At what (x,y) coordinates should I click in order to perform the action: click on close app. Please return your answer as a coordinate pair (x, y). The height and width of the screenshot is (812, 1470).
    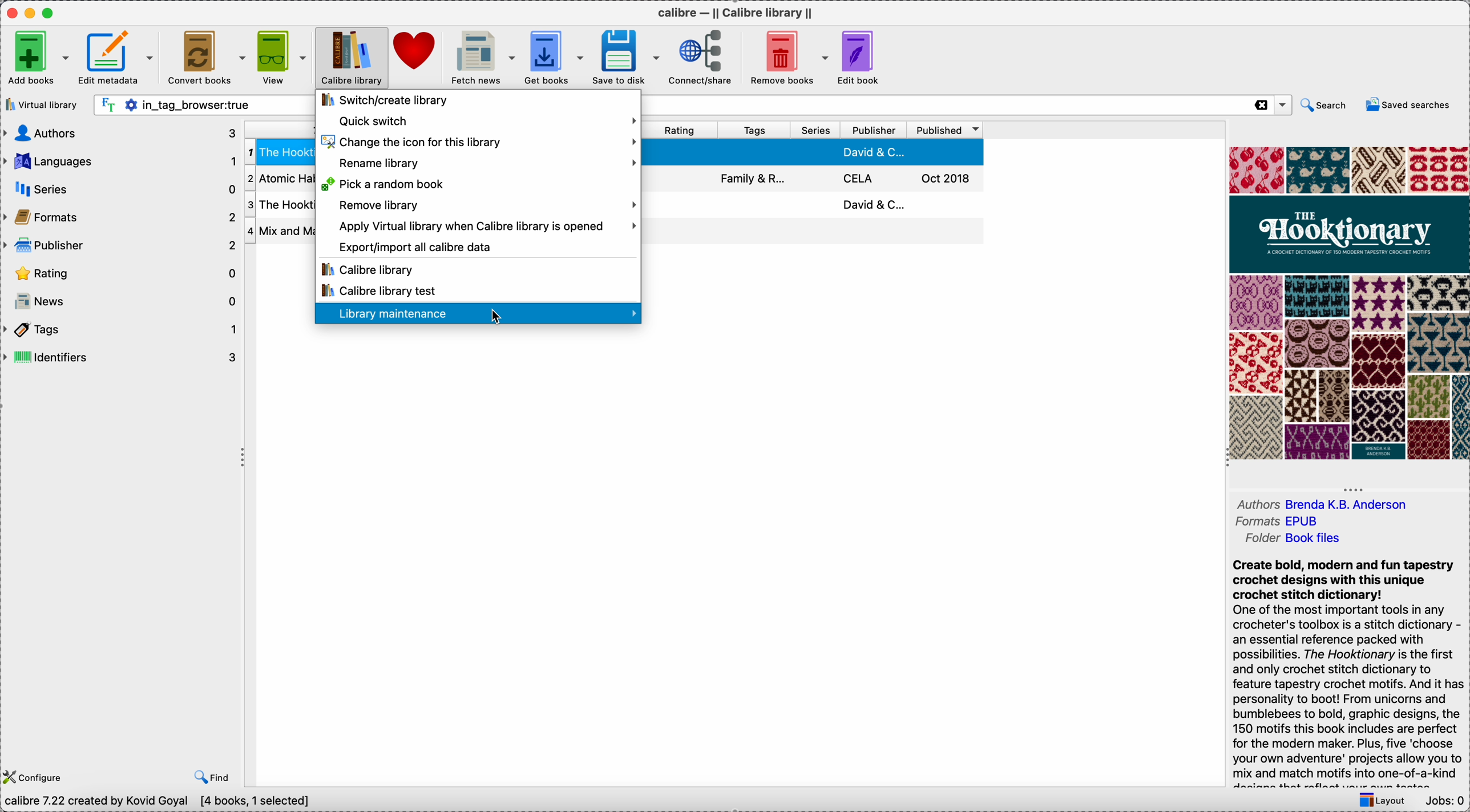
    Looking at the image, I should click on (9, 13).